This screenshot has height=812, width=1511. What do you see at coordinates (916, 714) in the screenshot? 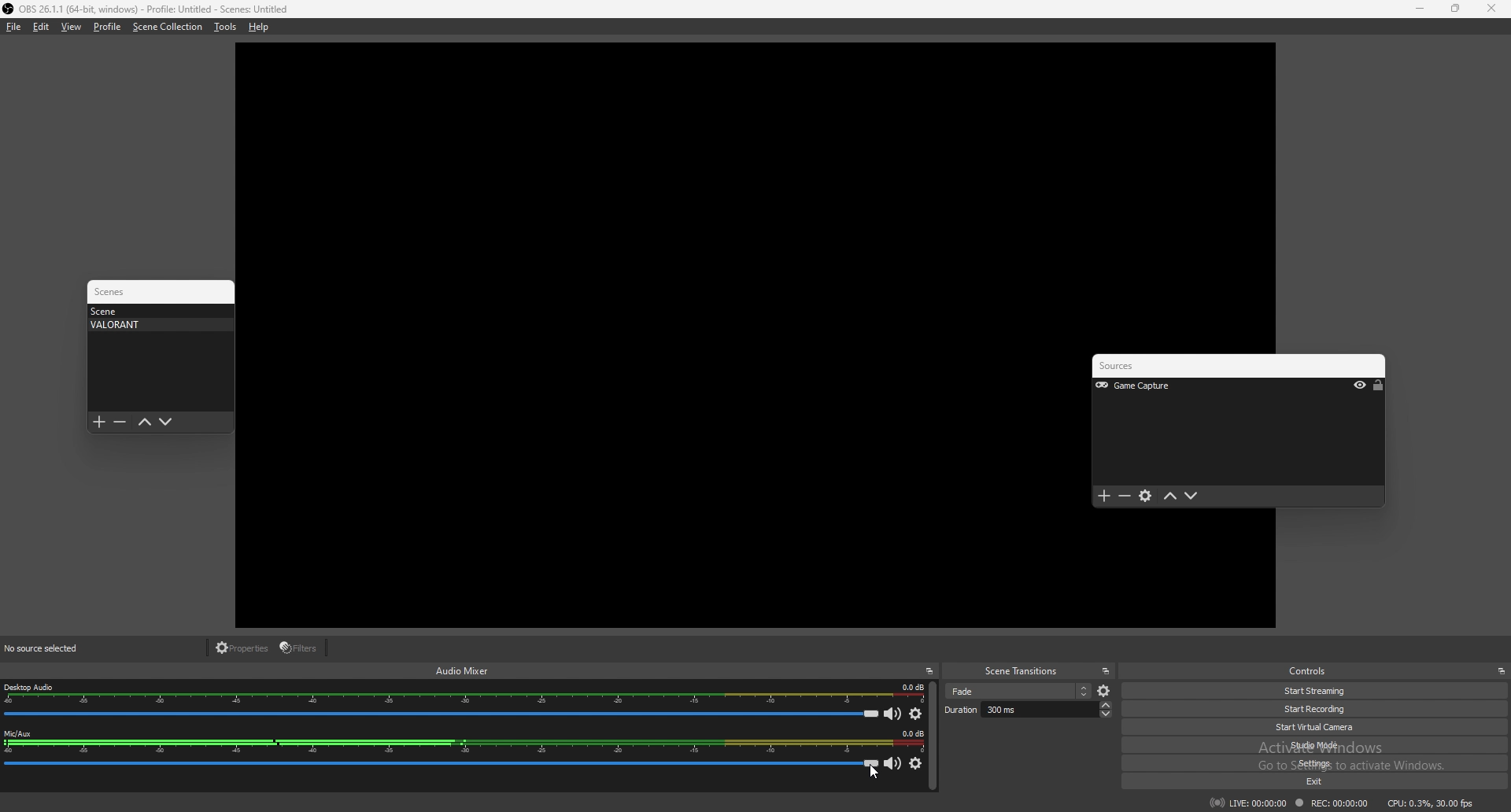
I see `desktop audio settings` at bounding box center [916, 714].